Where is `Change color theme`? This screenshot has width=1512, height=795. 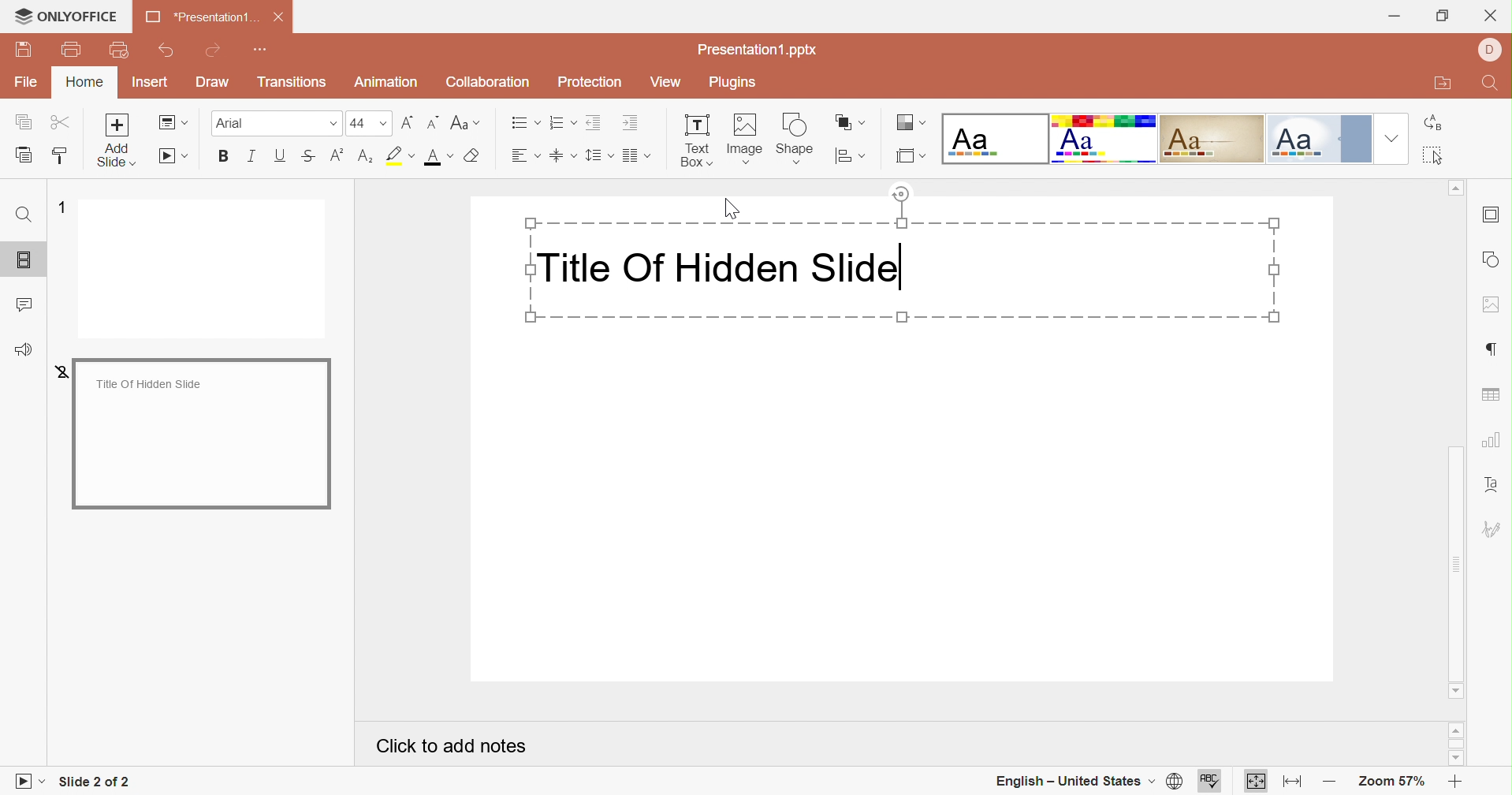
Change color theme is located at coordinates (908, 122).